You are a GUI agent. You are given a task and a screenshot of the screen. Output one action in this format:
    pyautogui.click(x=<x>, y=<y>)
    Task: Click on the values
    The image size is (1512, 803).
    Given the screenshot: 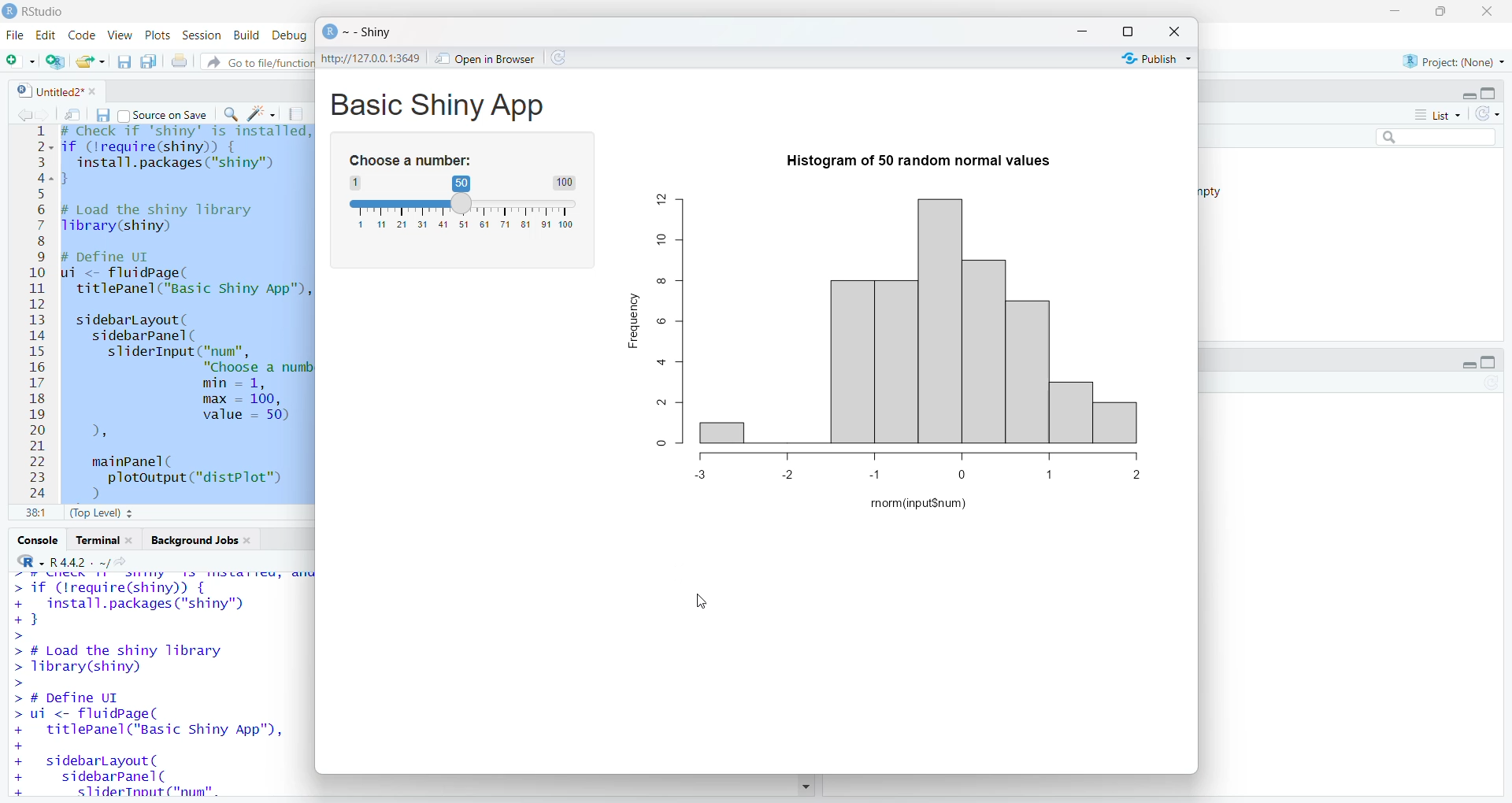 What is the action you would take?
    pyautogui.click(x=920, y=468)
    